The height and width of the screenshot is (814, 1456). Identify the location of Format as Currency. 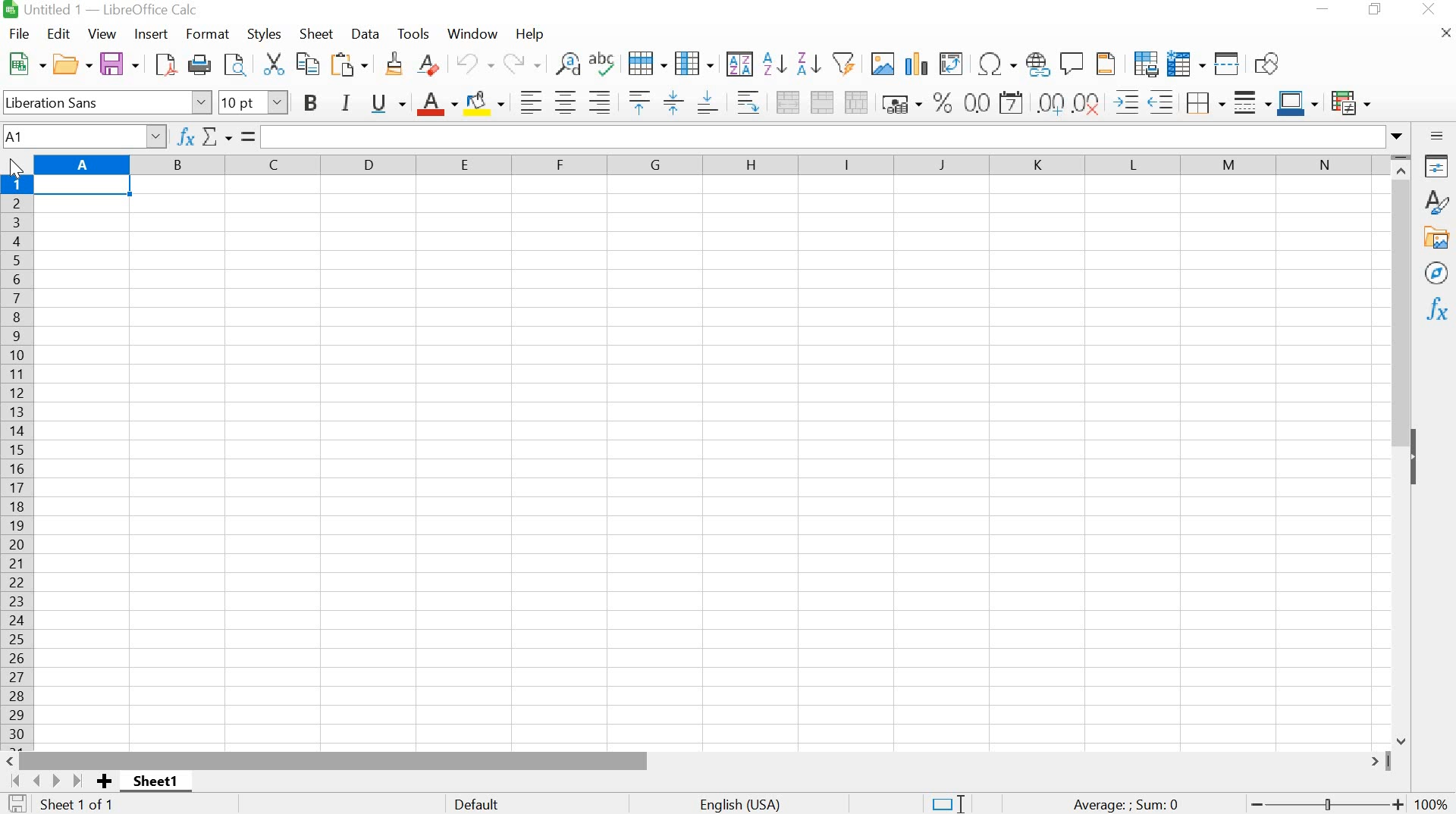
(899, 103).